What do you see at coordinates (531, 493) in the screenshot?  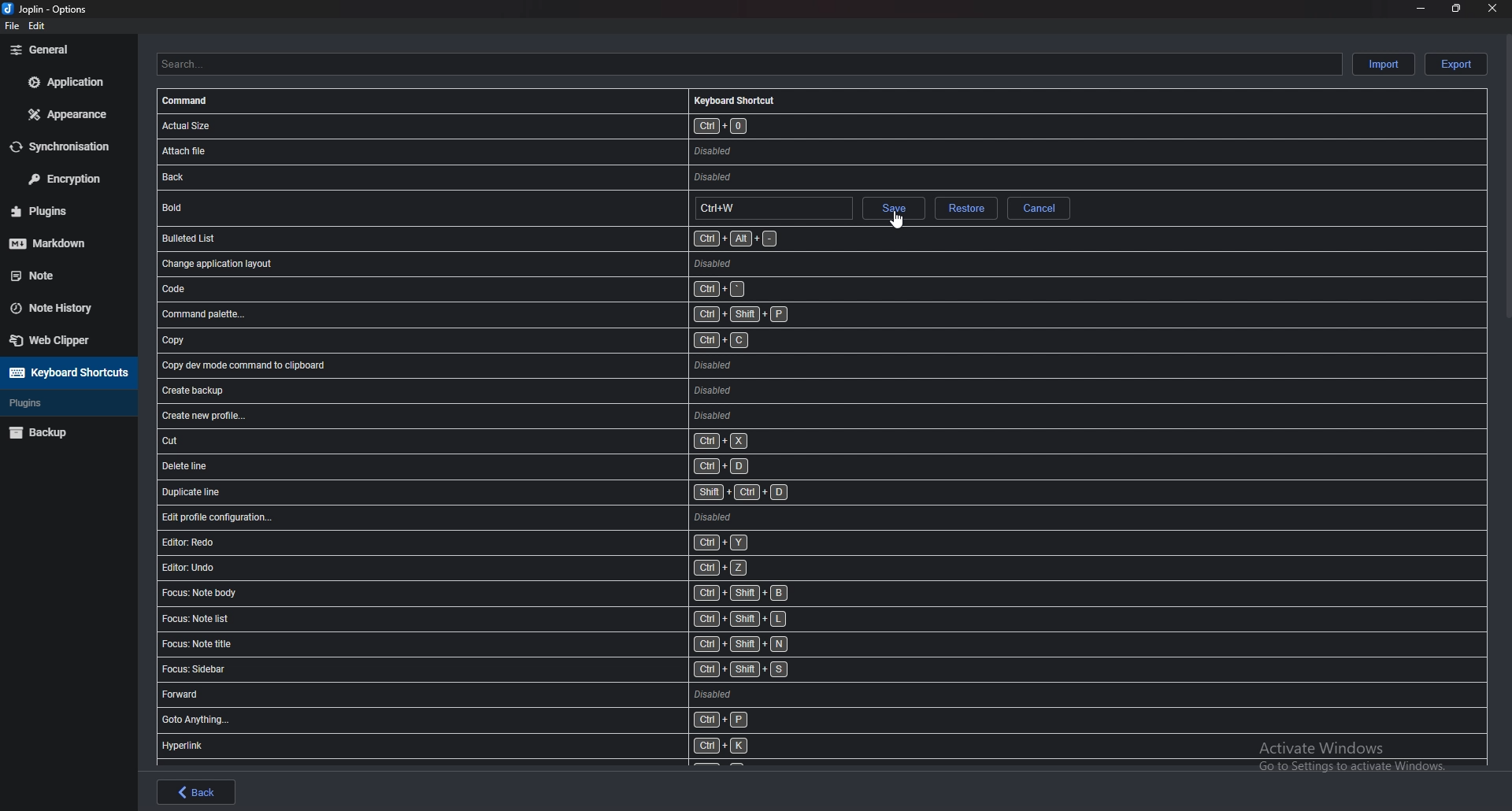 I see `shortcut` at bounding box center [531, 493].